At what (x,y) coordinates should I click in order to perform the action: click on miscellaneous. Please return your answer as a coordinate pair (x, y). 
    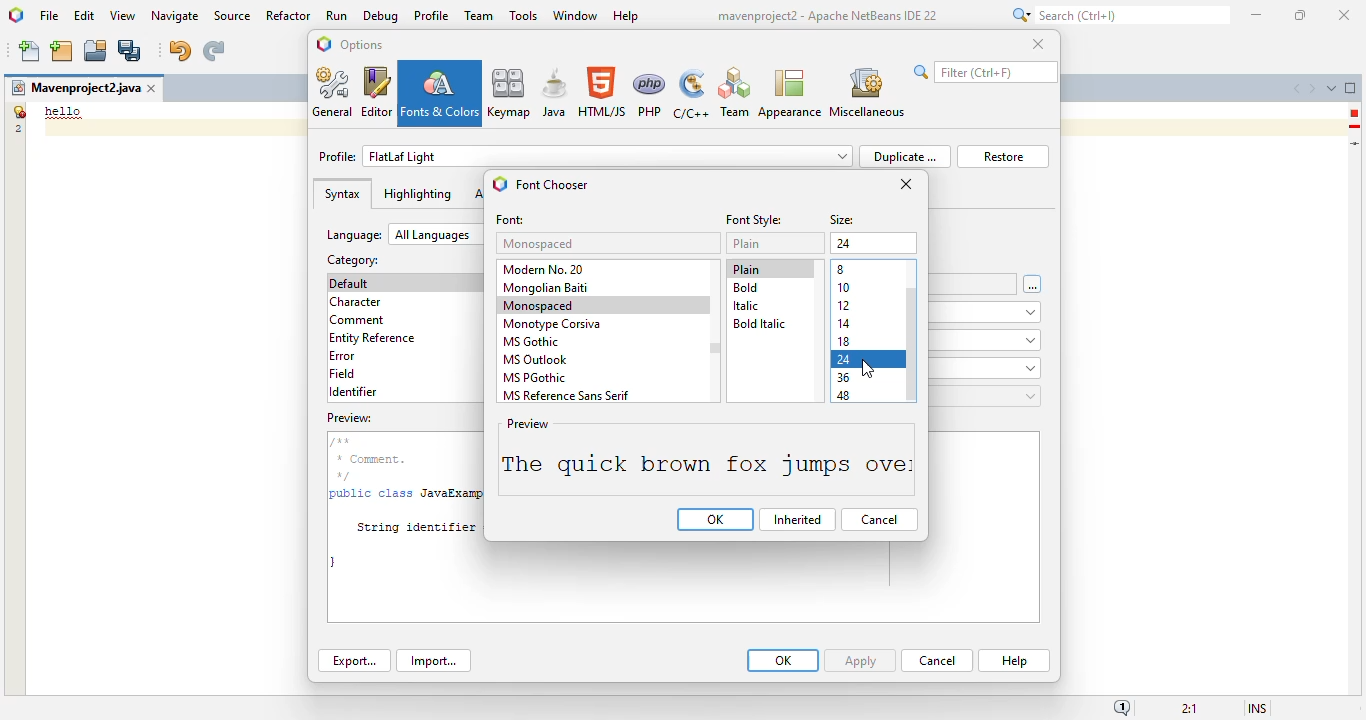
    Looking at the image, I should click on (866, 93).